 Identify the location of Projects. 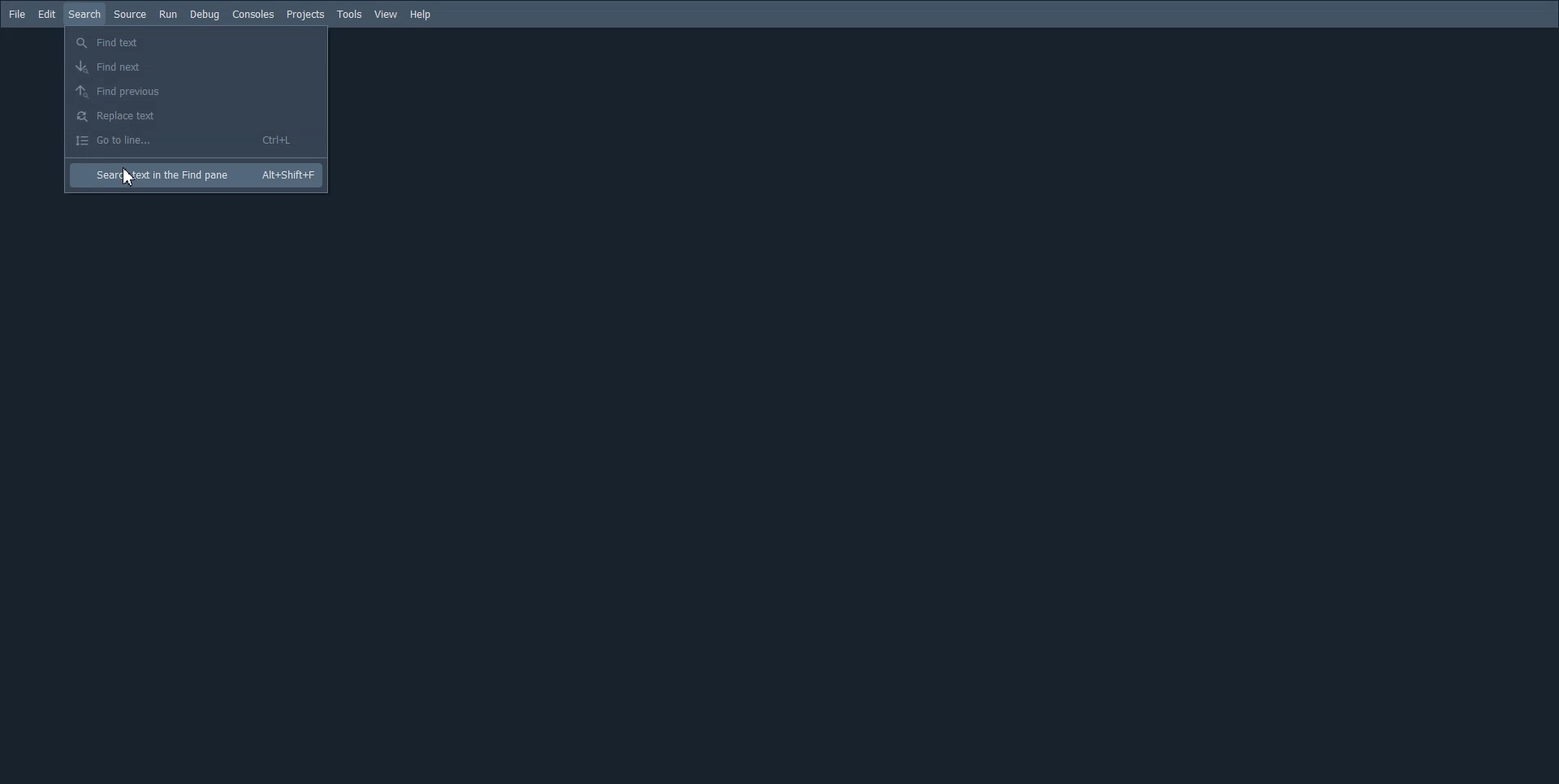
(304, 15).